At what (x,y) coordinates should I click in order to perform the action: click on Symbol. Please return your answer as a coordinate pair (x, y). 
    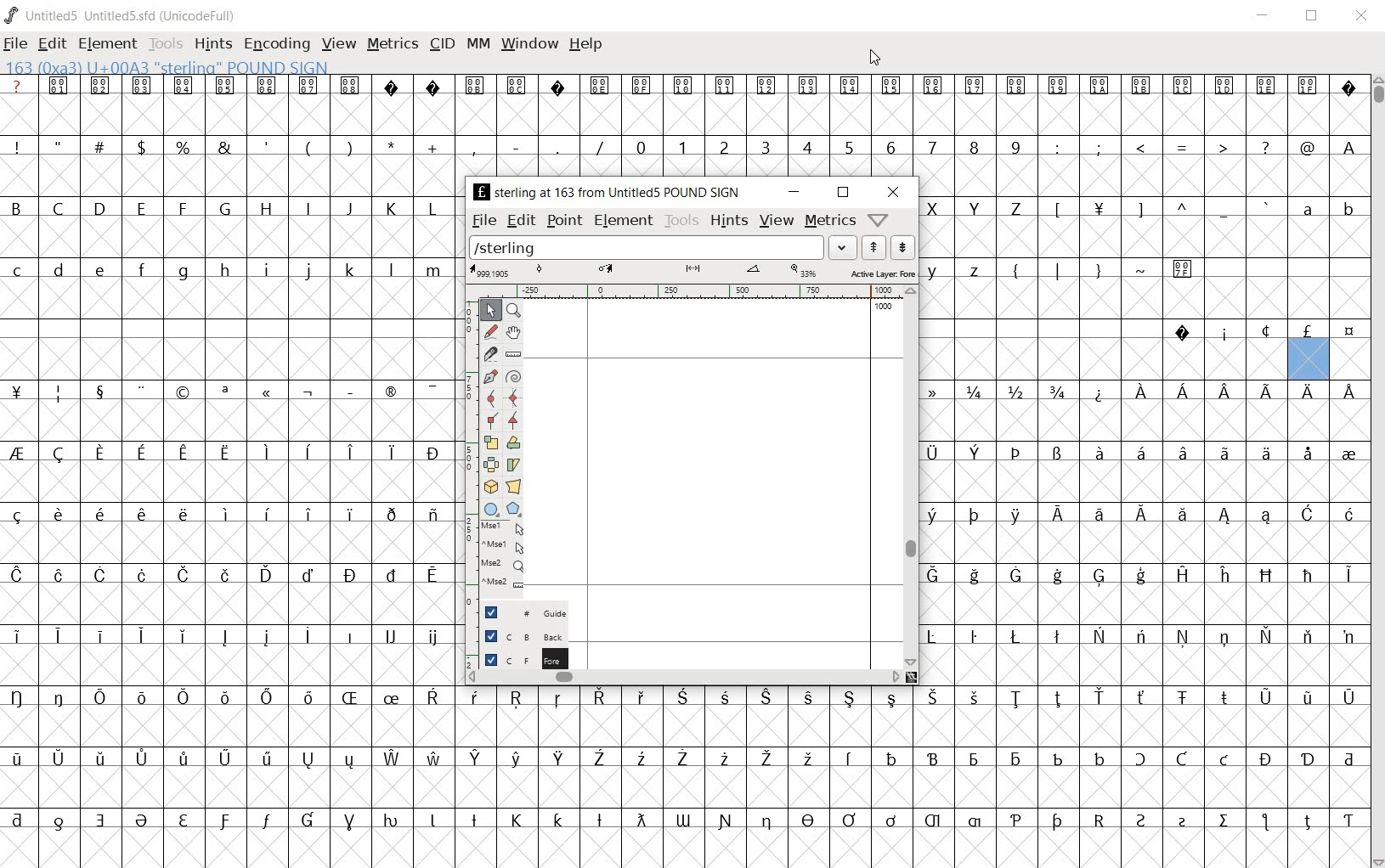
    Looking at the image, I should click on (681, 699).